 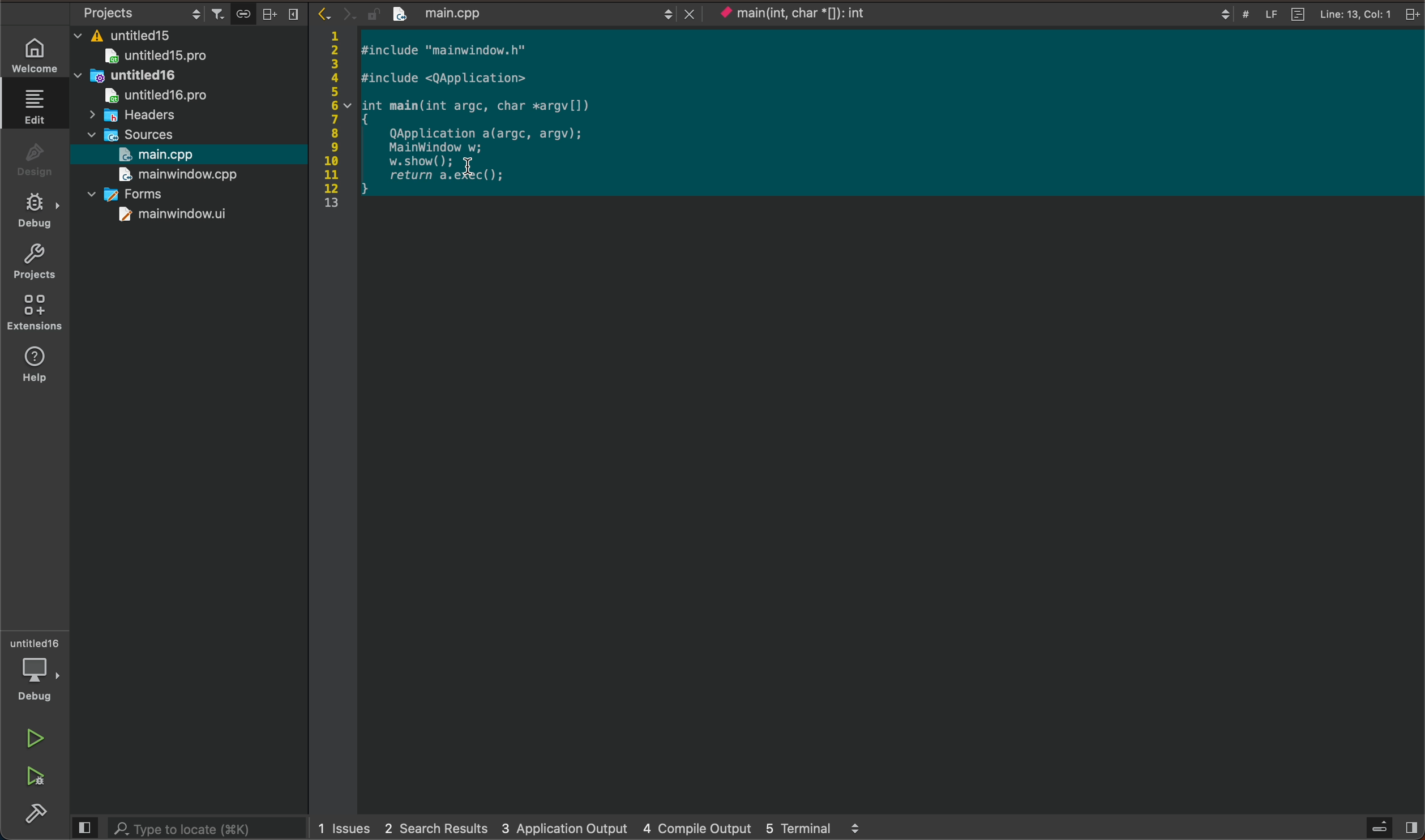 What do you see at coordinates (159, 95) in the screenshot?
I see `untitled16pro` at bounding box center [159, 95].